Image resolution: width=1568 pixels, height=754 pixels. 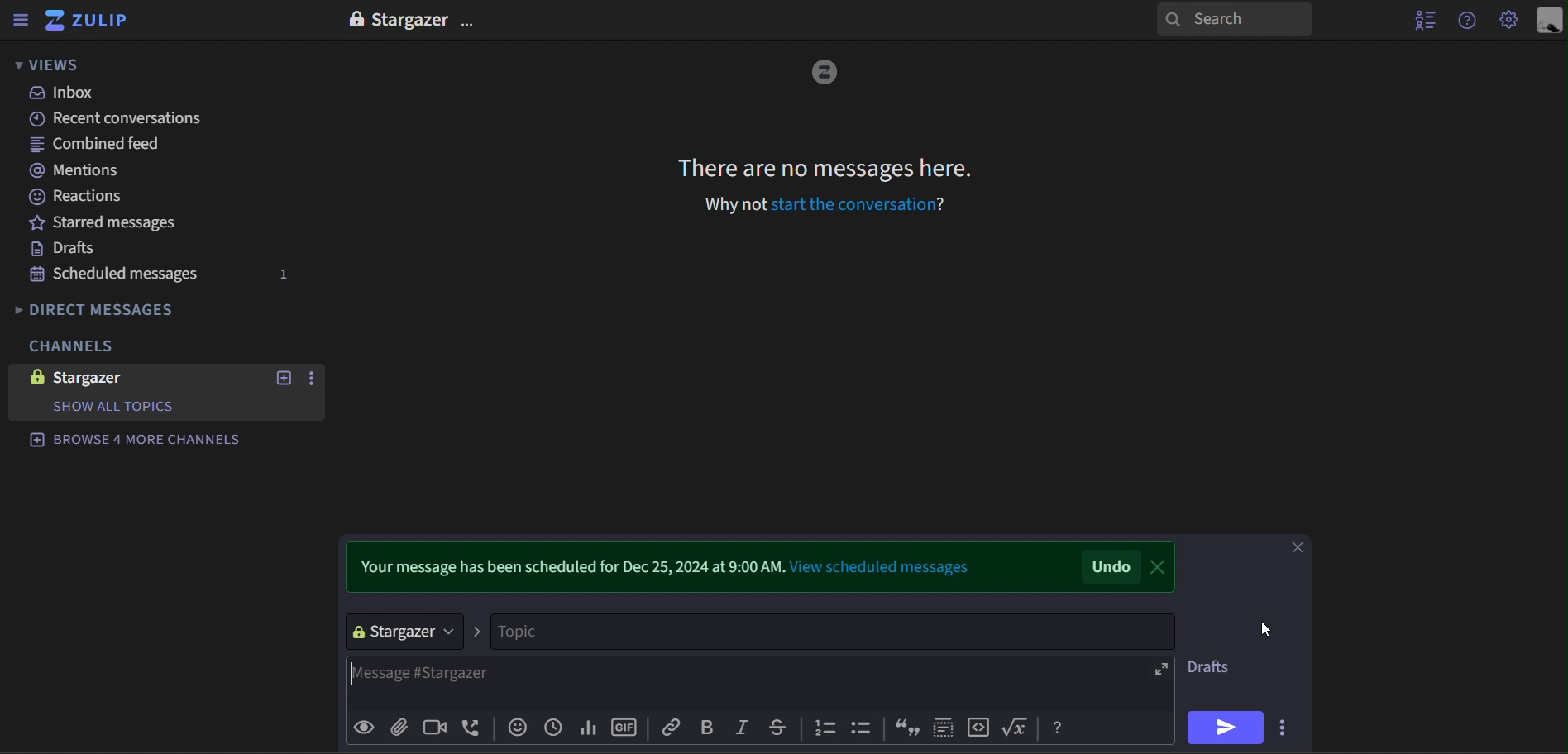 What do you see at coordinates (709, 729) in the screenshot?
I see `bold` at bounding box center [709, 729].